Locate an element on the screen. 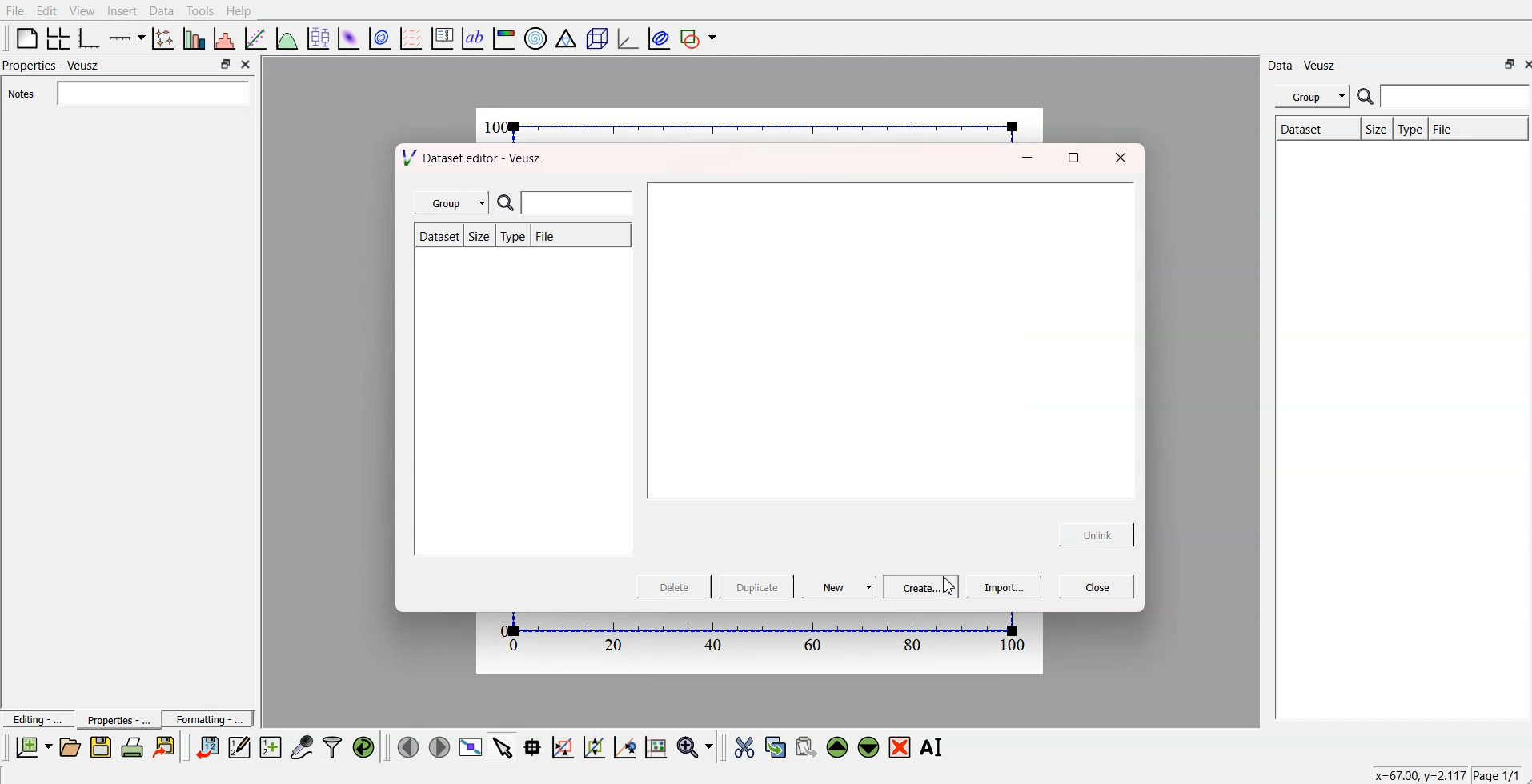 The width and height of the screenshot is (1532, 784). New is located at coordinates (844, 587).